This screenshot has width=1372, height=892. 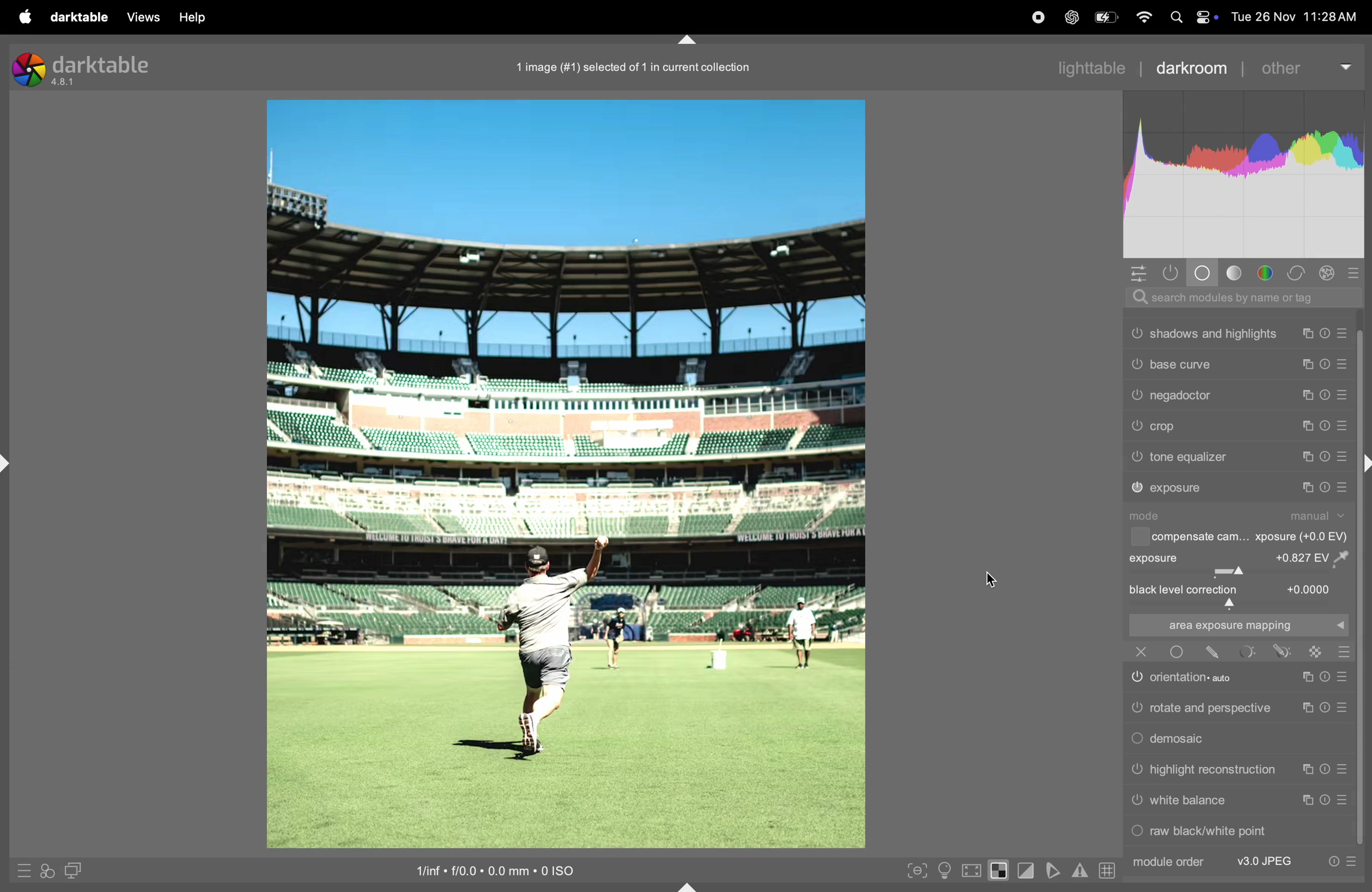 I want to click on base, so click(x=1204, y=273).